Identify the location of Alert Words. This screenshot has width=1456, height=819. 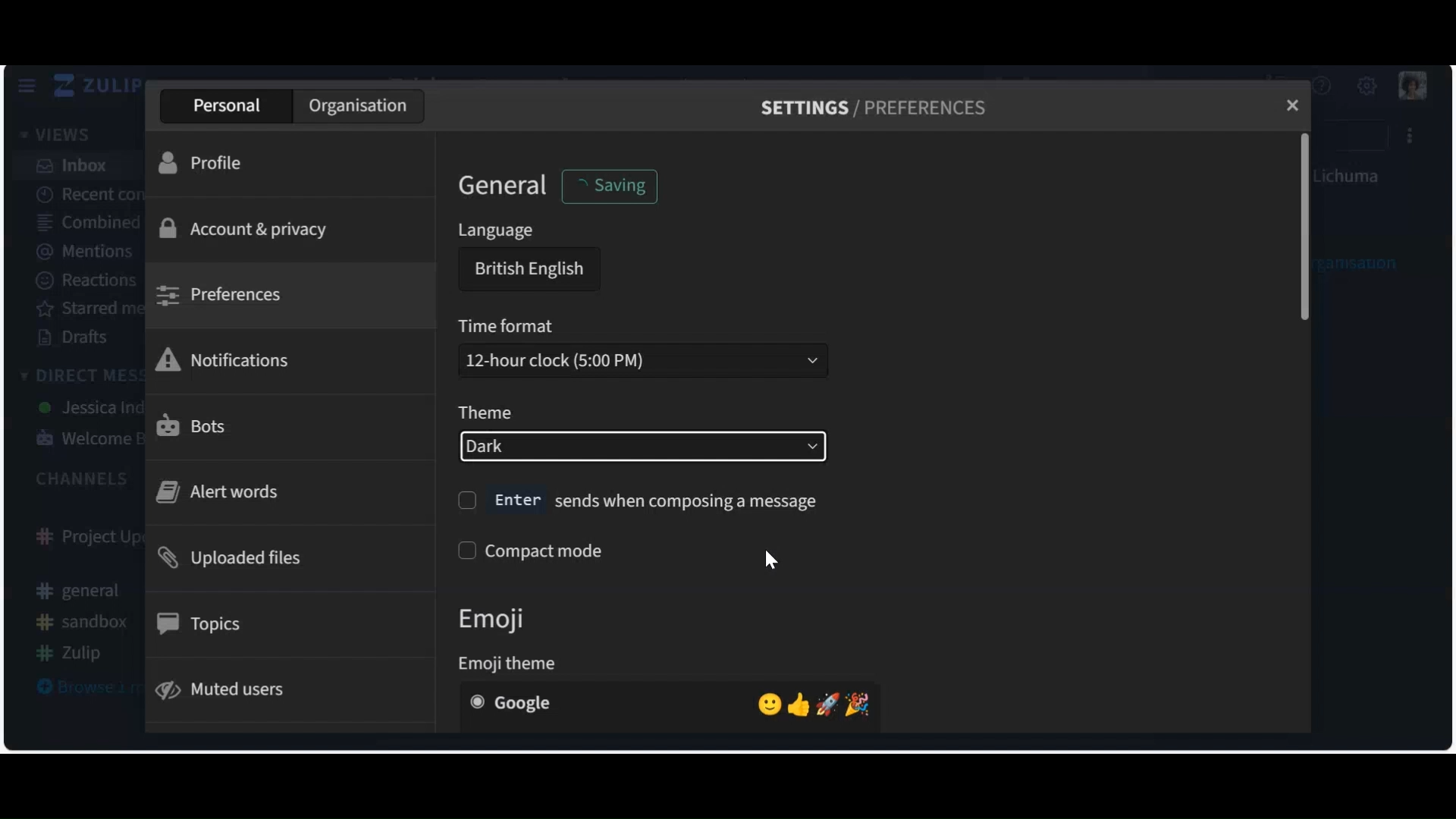
(220, 492).